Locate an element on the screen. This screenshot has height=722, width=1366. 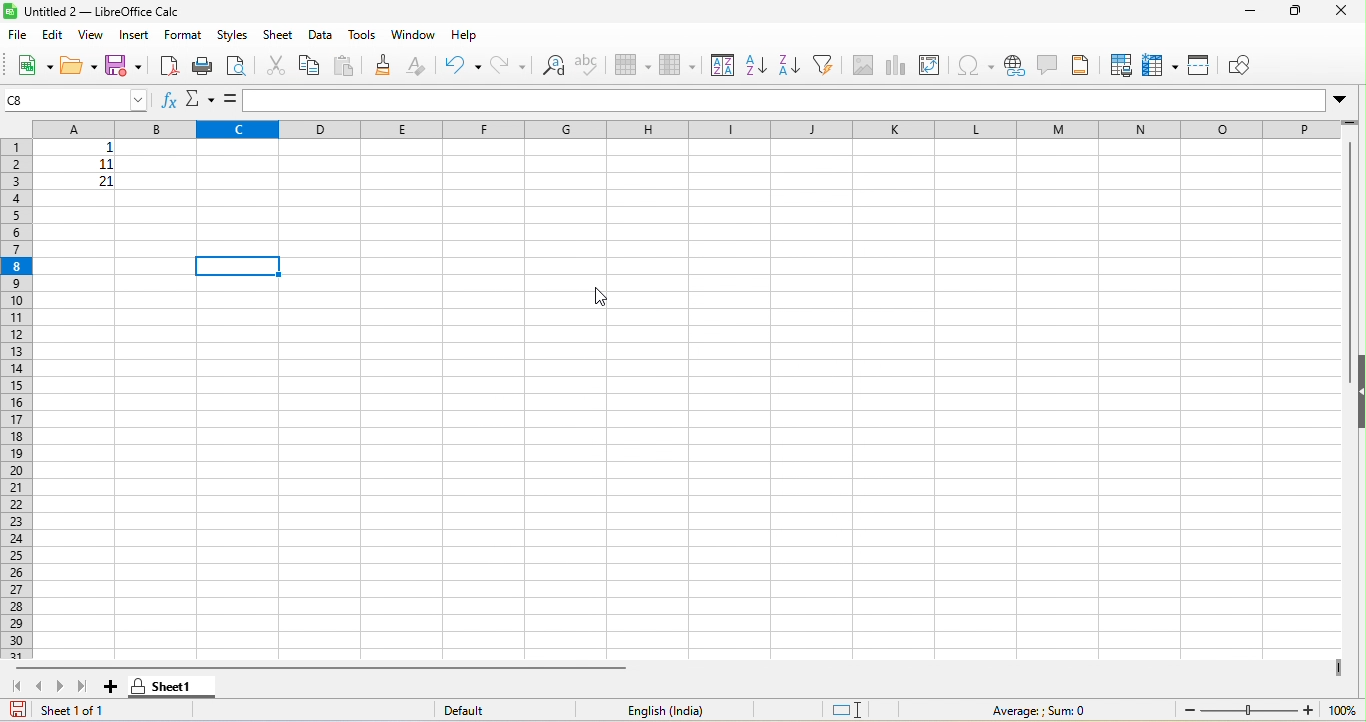
add new sheet is located at coordinates (112, 687).